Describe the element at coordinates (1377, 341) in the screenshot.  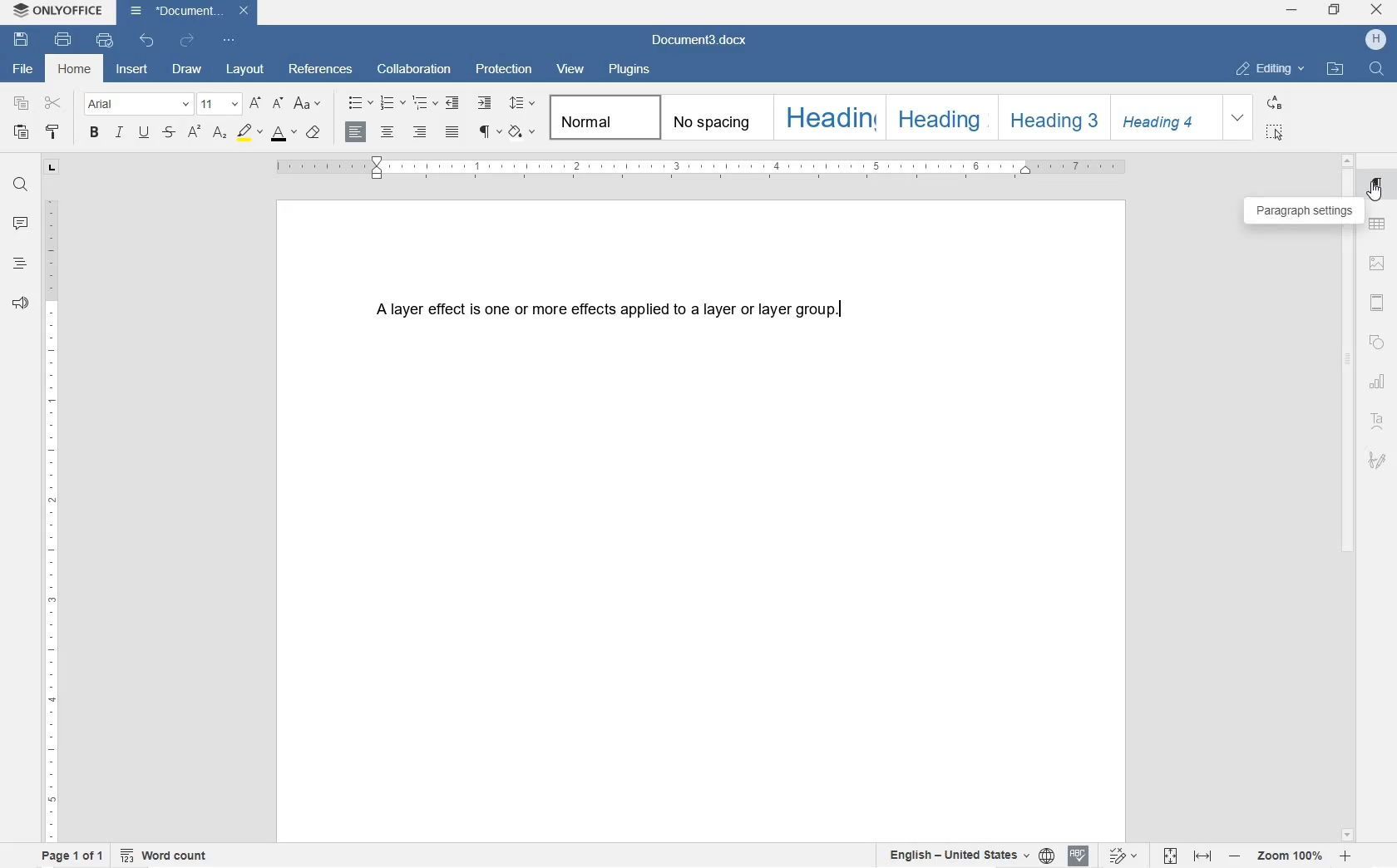
I see `SHAPE` at that location.